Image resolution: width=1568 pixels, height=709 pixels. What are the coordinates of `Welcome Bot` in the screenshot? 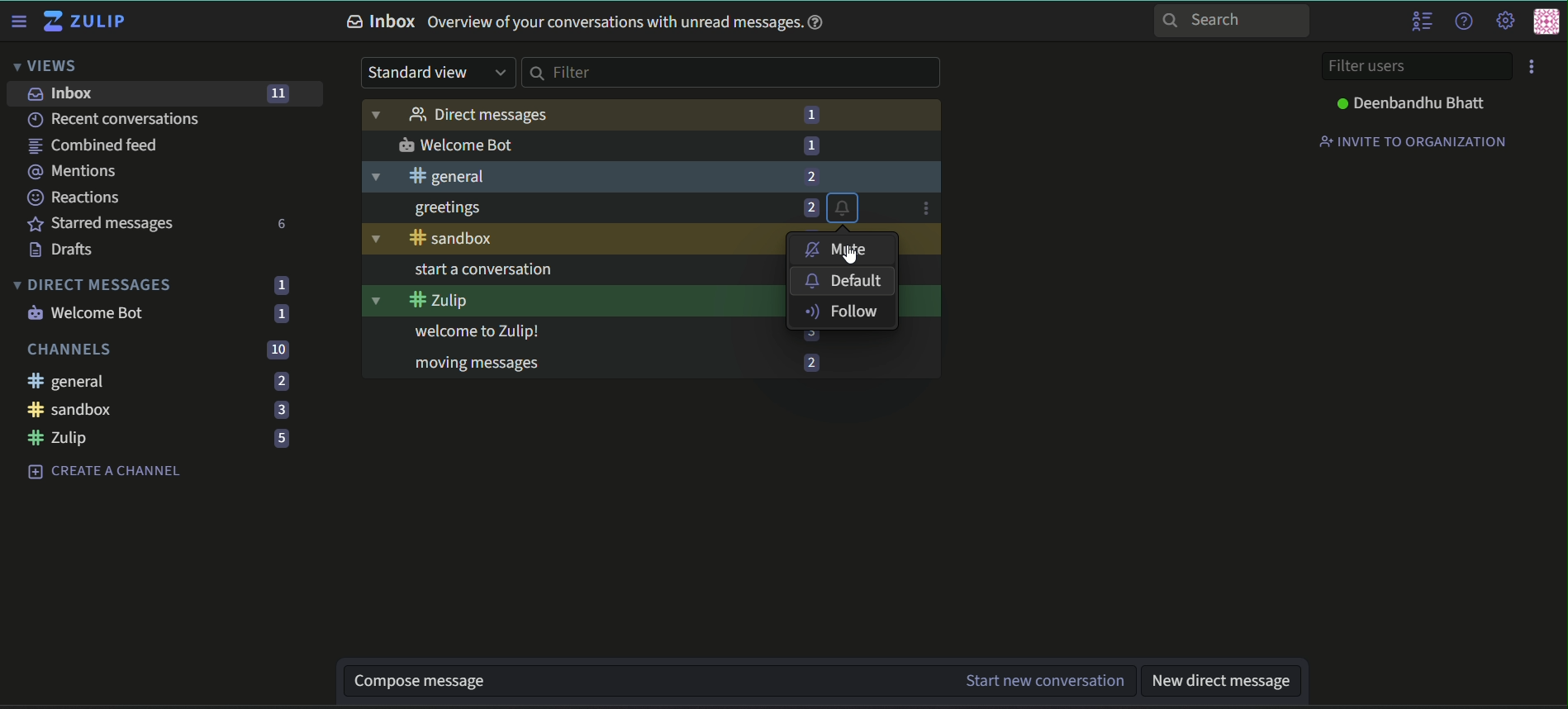 It's located at (88, 314).